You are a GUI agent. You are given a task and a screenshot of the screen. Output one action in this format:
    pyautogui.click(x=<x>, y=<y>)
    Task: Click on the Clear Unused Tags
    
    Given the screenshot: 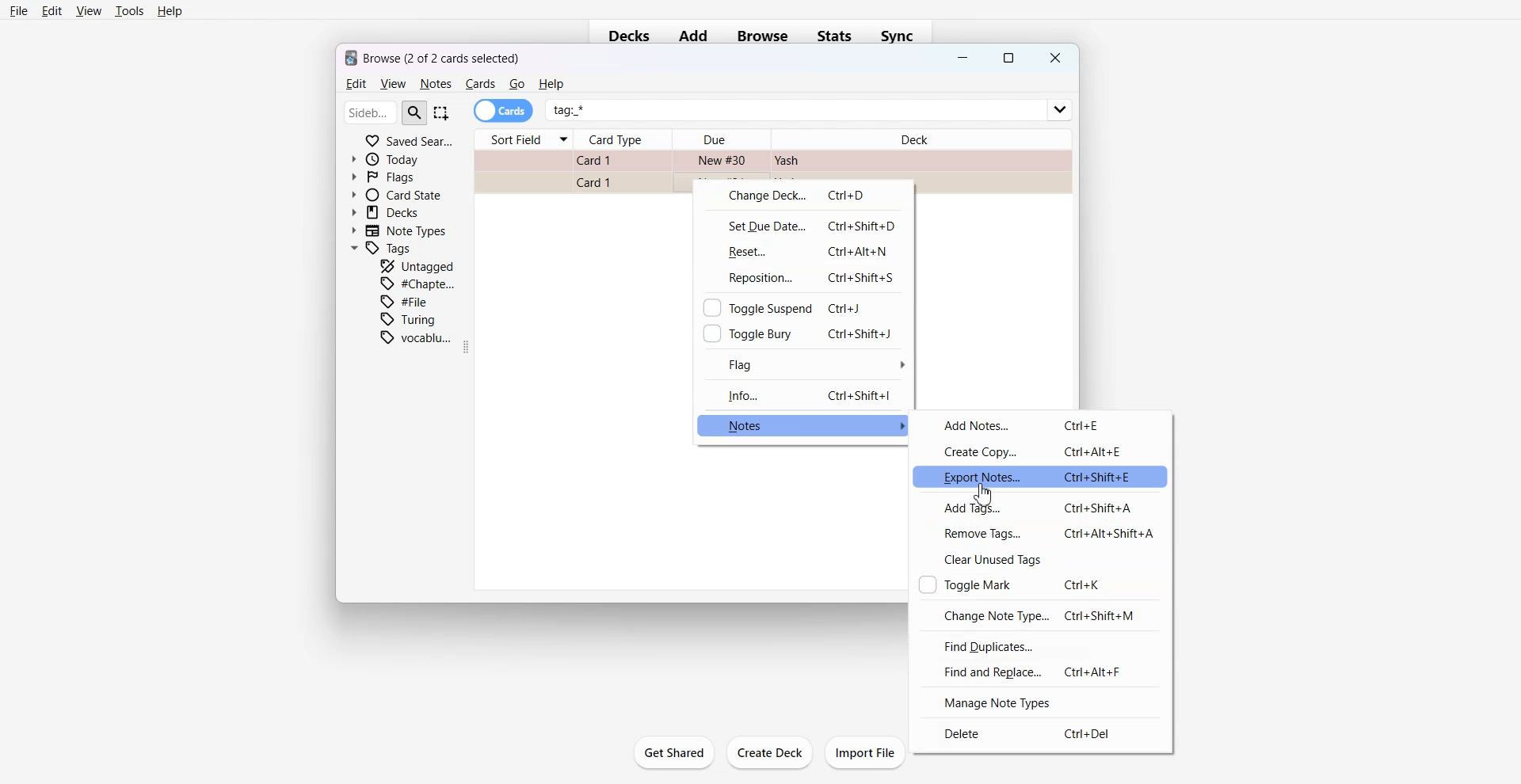 What is the action you would take?
    pyautogui.click(x=1039, y=559)
    